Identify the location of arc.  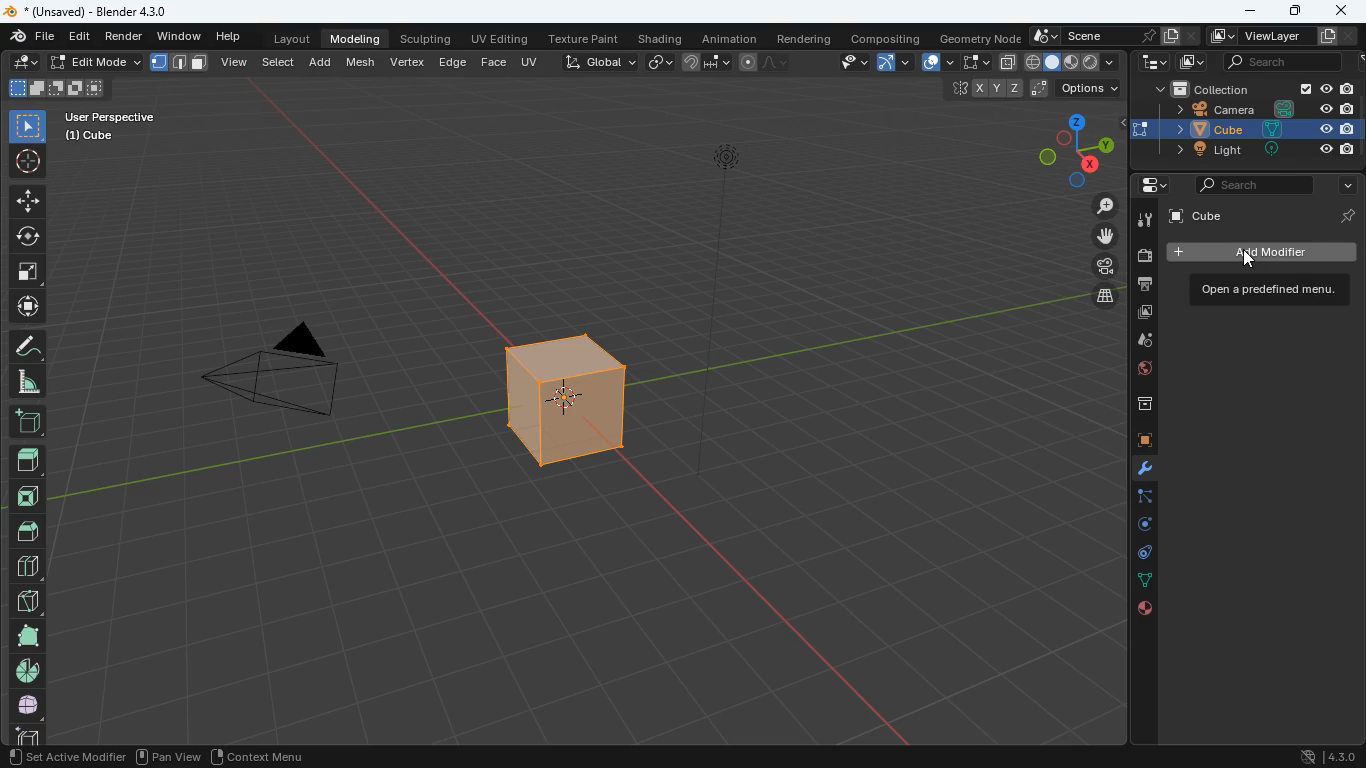
(892, 62).